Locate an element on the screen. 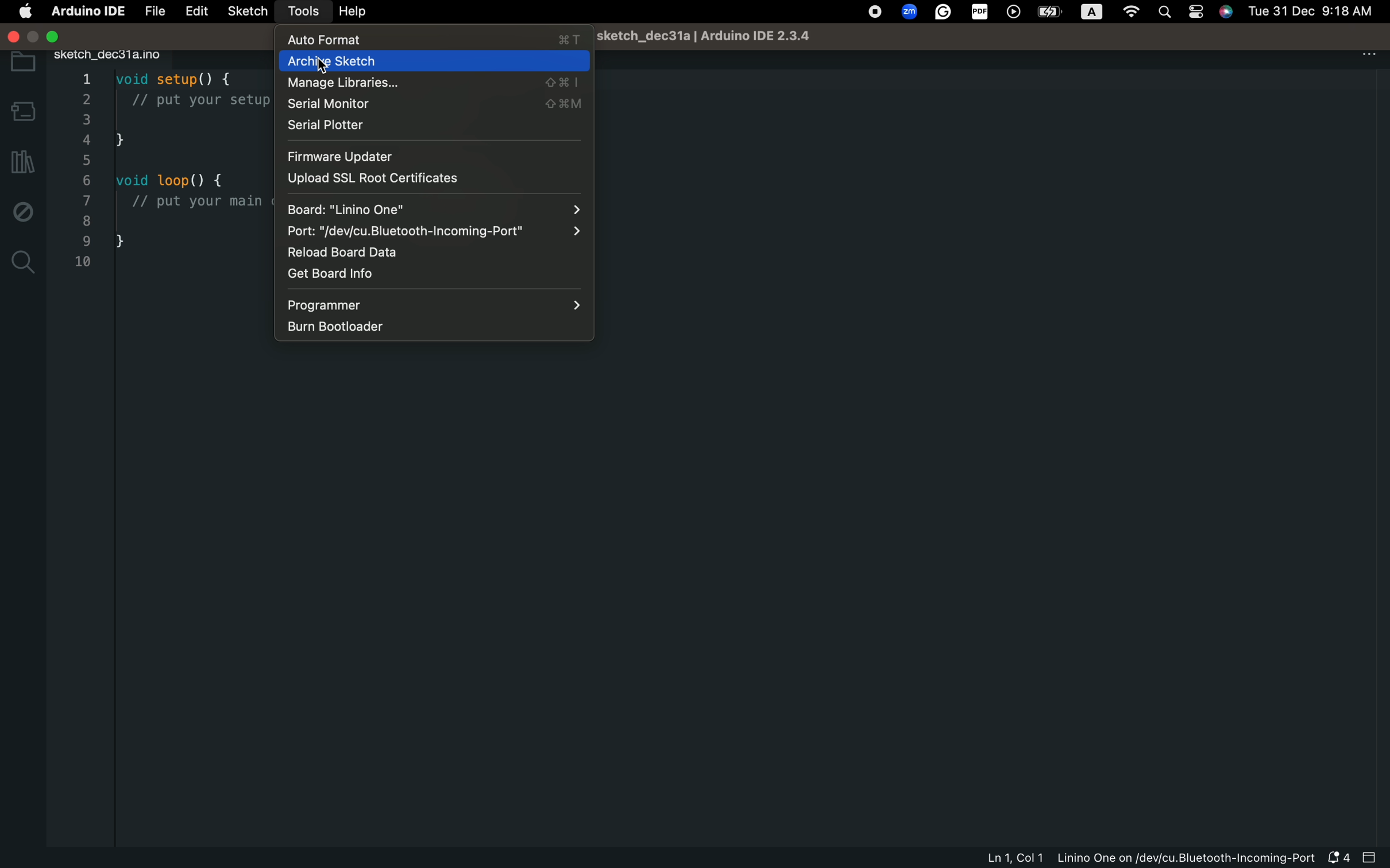 The width and height of the screenshot is (1390, 868). debug is located at coordinates (24, 211).